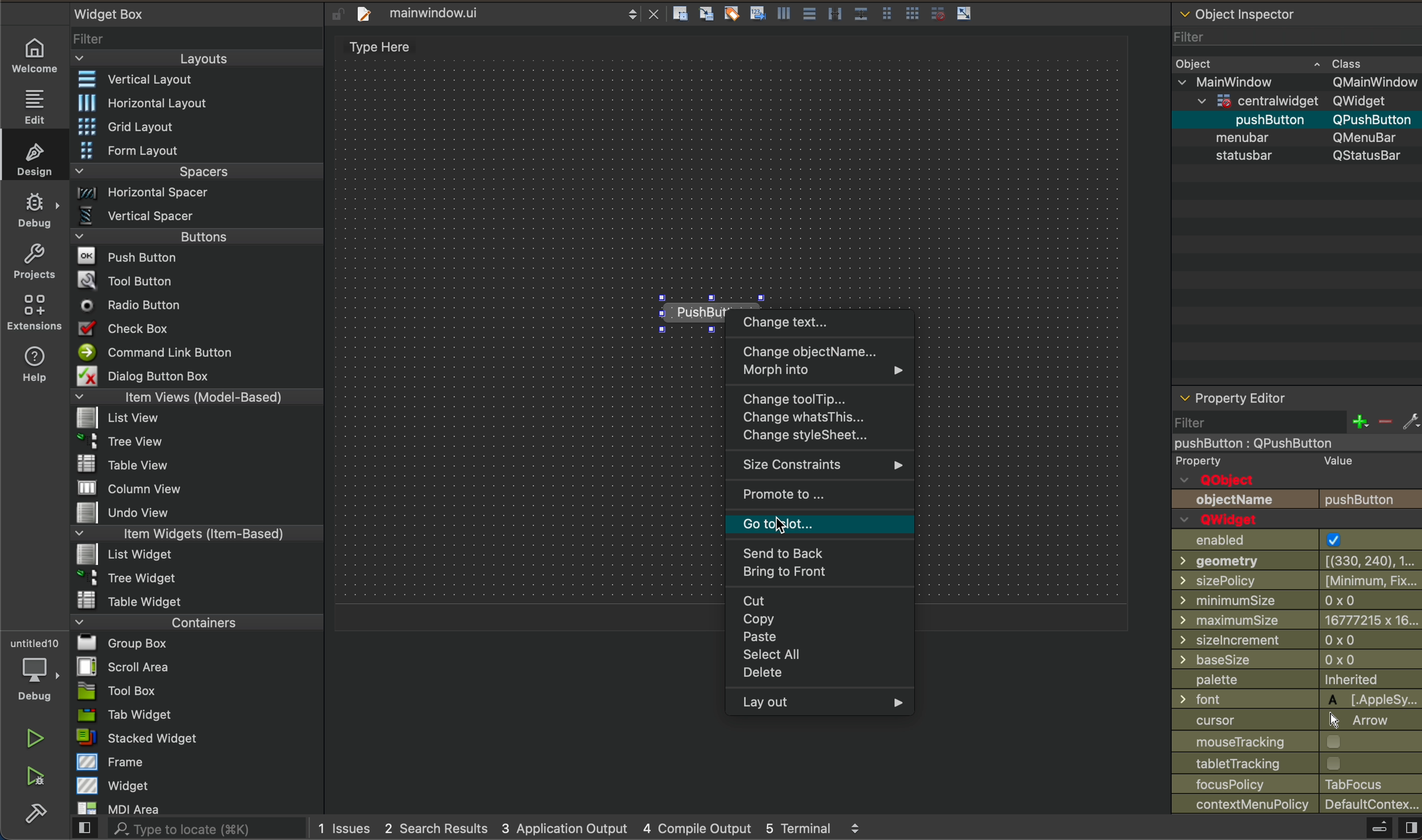 This screenshot has width=1422, height=840. What do you see at coordinates (1293, 101) in the screenshot?
I see `centralwidget` at bounding box center [1293, 101].